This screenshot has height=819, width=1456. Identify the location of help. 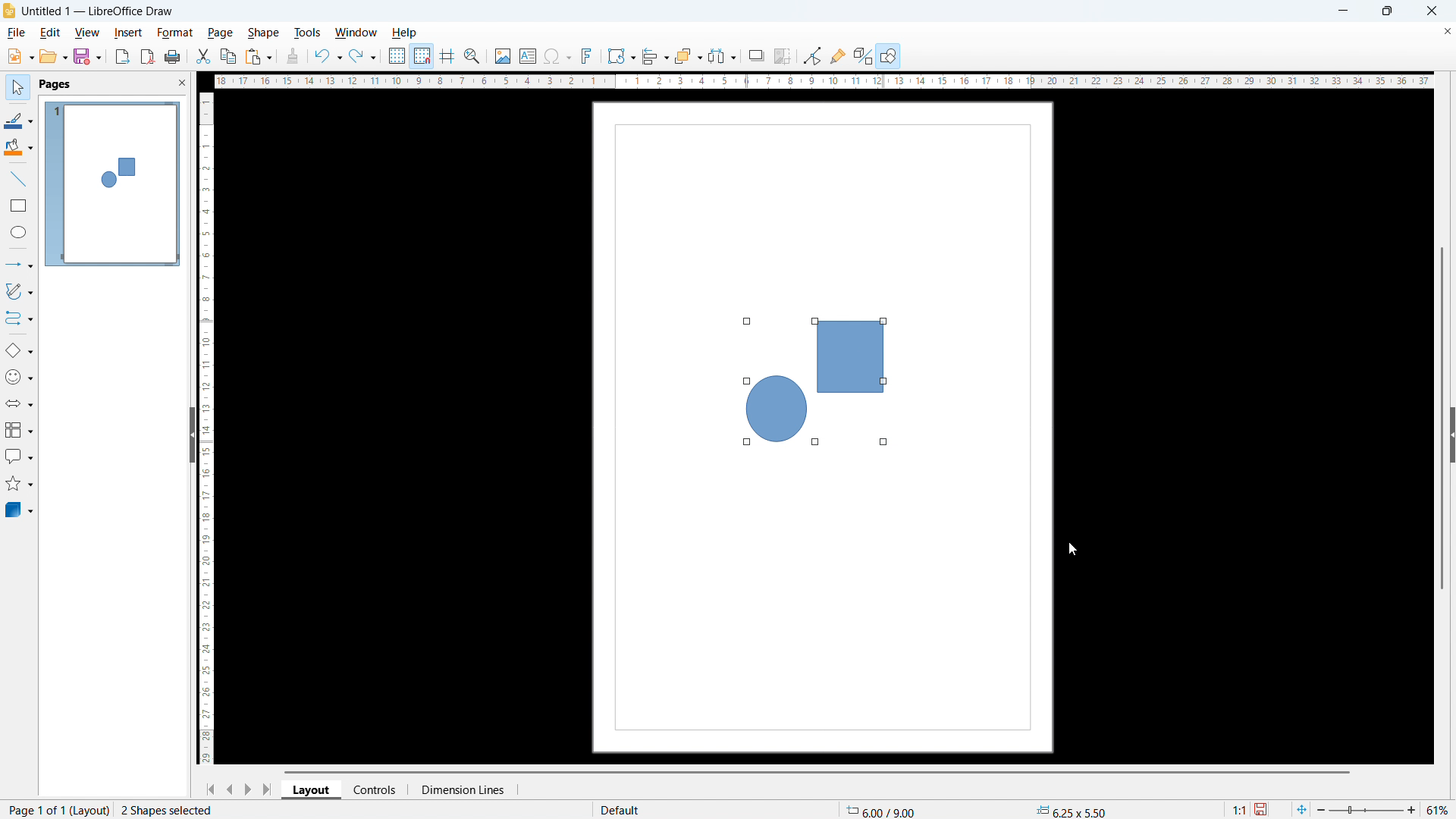
(405, 33).